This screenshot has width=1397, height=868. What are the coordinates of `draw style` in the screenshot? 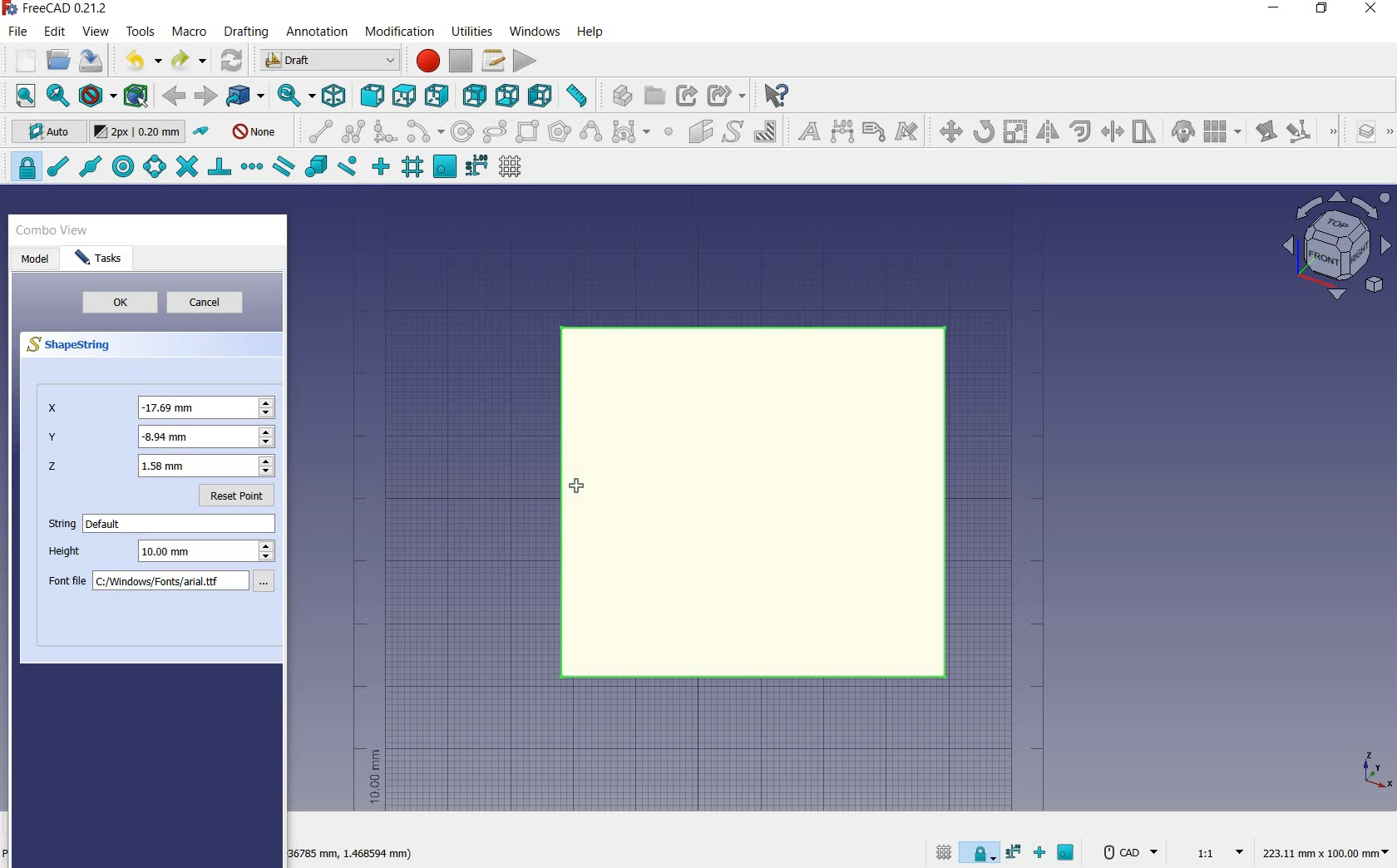 It's located at (97, 96).